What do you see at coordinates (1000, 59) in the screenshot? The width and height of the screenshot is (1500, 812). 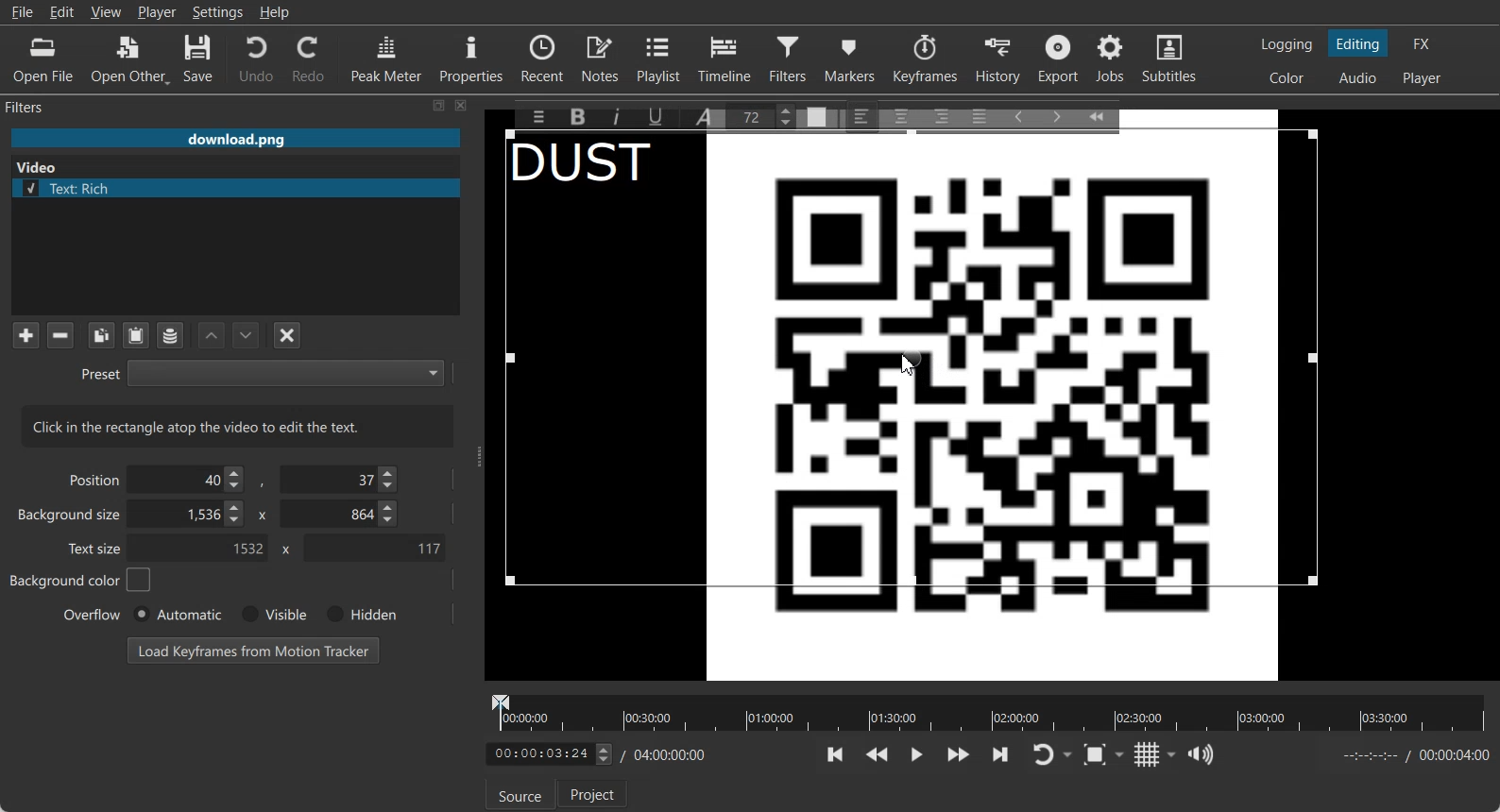 I see `History` at bounding box center [1000, 59].